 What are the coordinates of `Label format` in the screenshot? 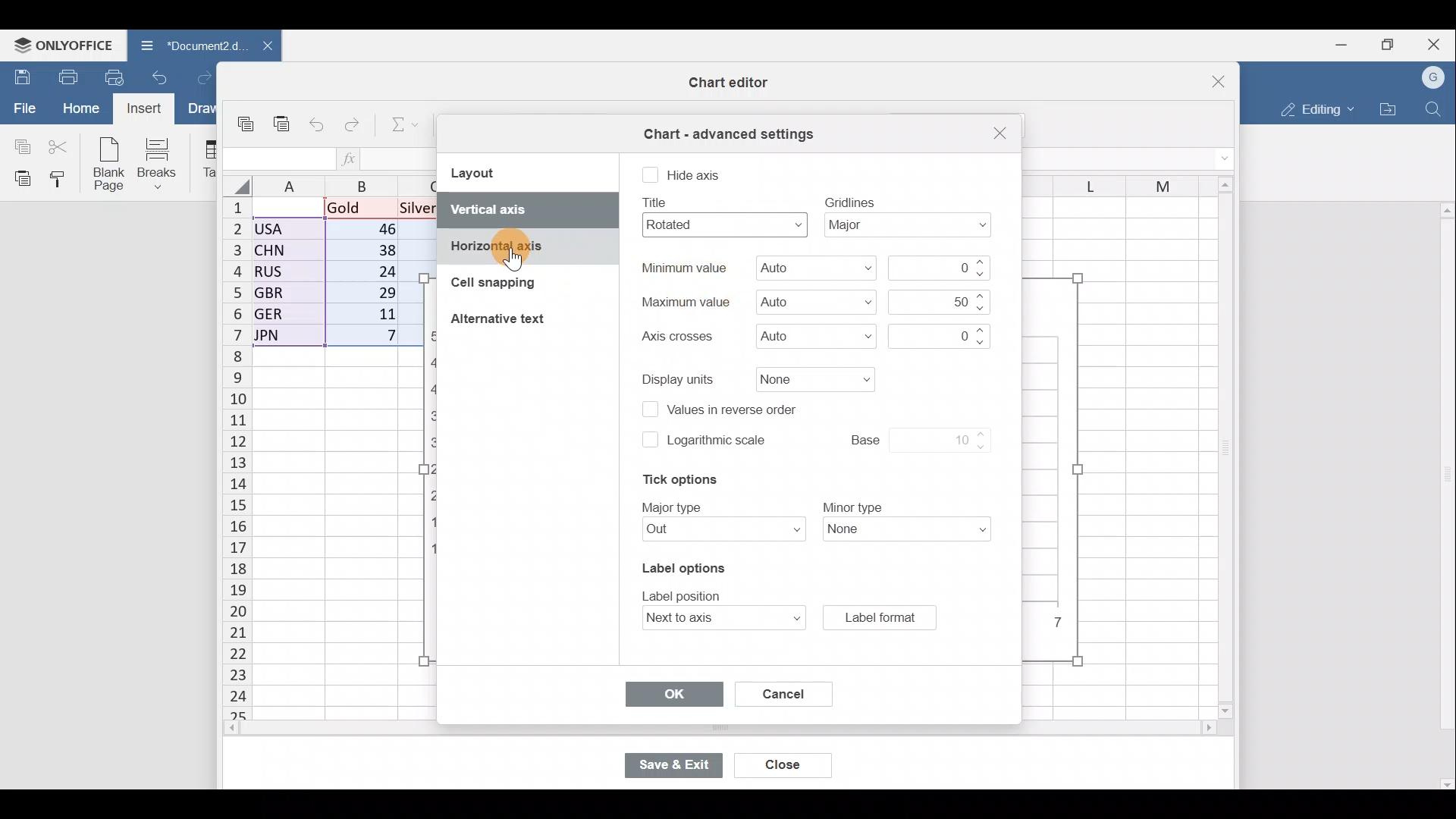 It's located at (879, 617).